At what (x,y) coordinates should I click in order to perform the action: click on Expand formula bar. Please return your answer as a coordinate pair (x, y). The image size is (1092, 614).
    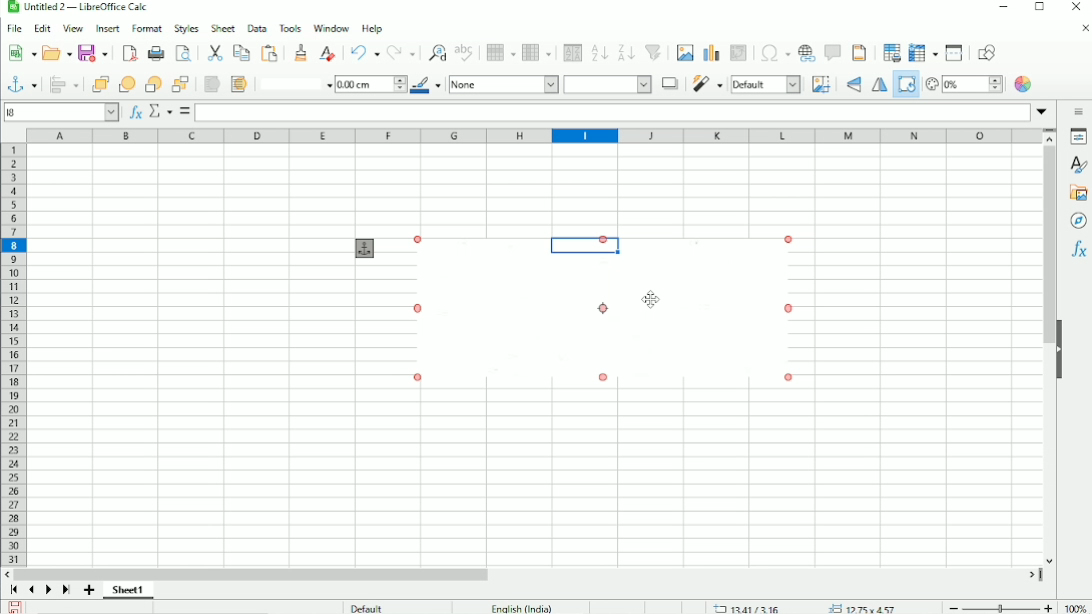
    Looking at the image, I should click on (1042, 110).